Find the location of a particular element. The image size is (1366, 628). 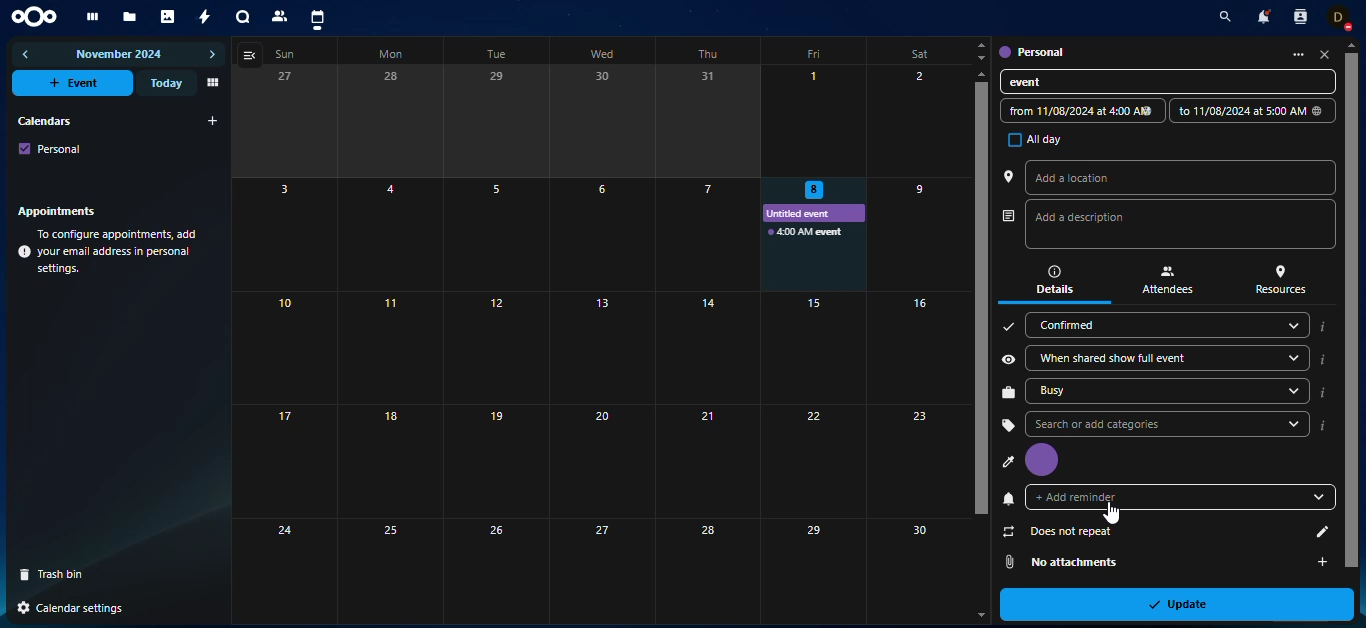

confirm is located at coordinates (1007, 327).